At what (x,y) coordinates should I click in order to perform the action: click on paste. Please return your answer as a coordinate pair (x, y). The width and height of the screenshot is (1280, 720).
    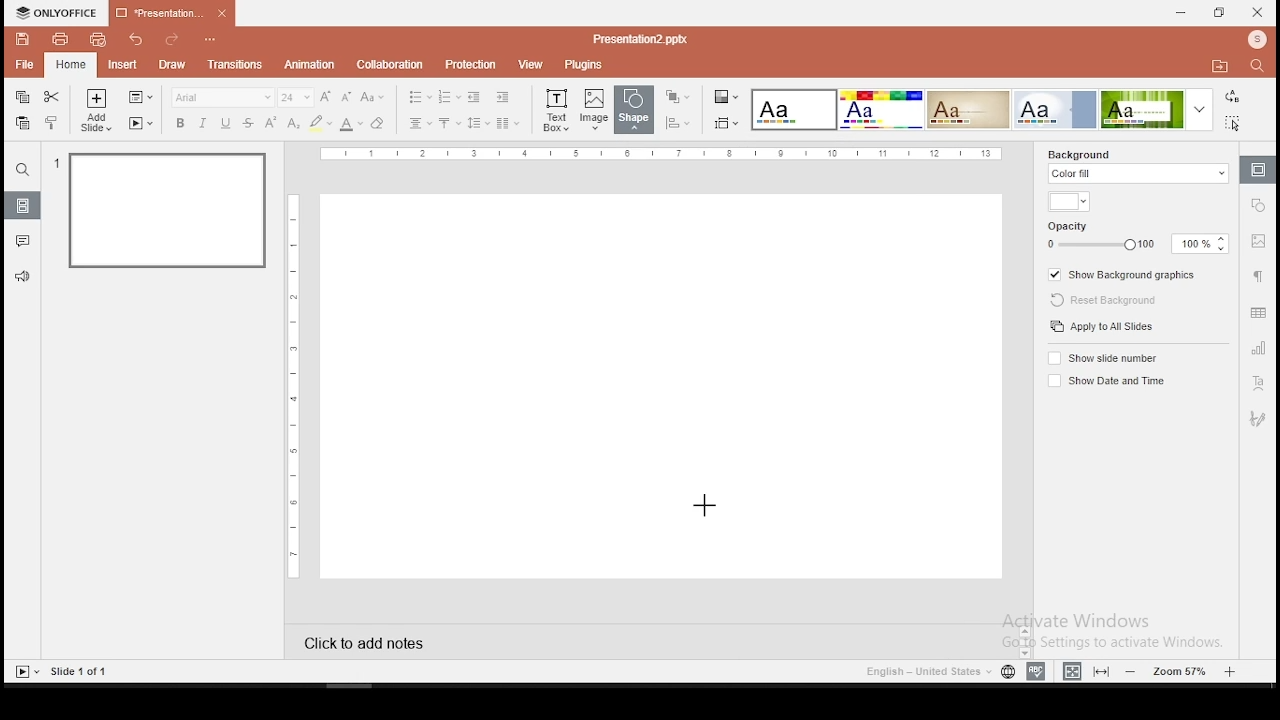
    Looking at the image, I should click on (22, 123).